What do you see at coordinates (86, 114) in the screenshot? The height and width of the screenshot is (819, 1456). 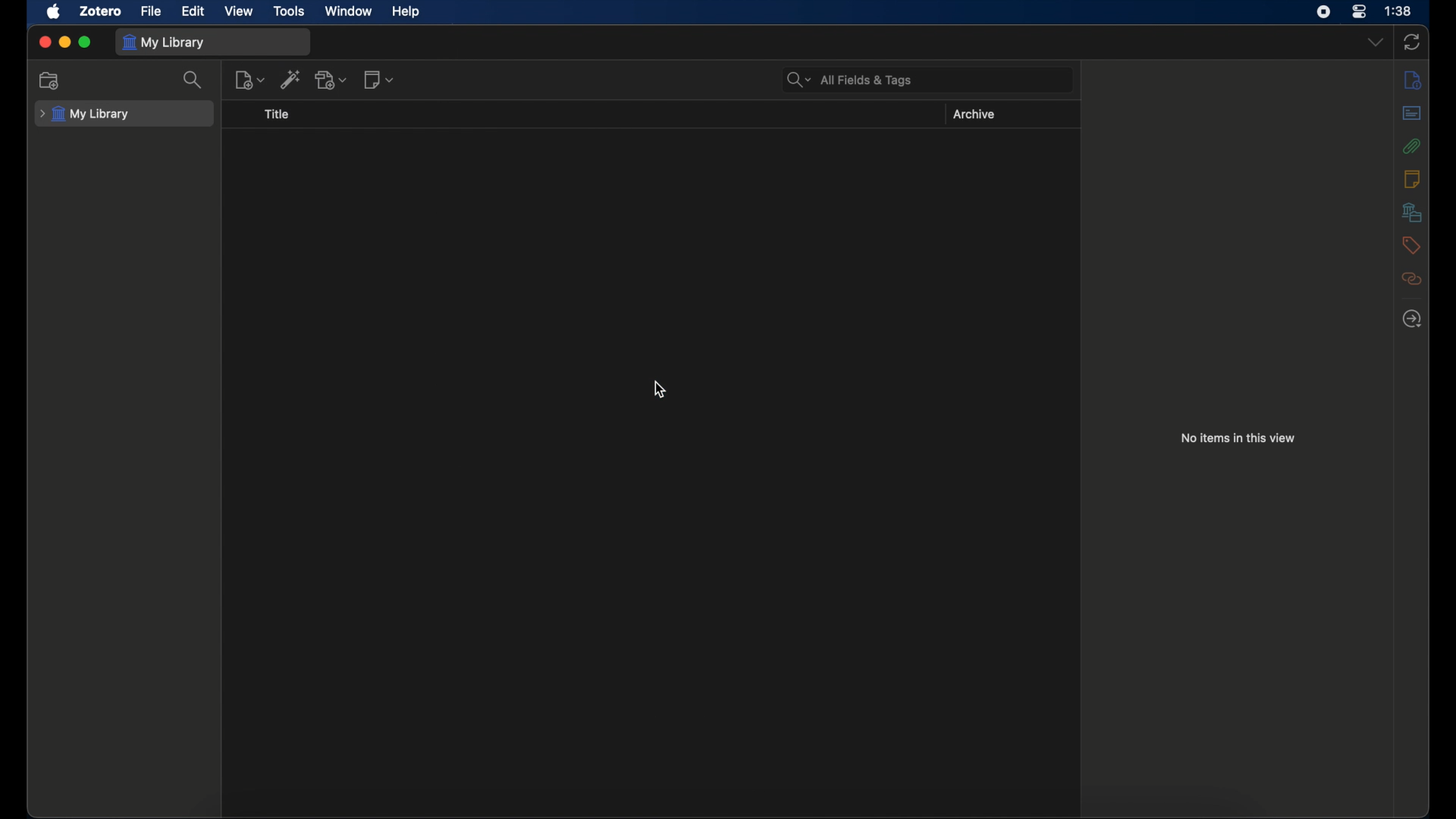 I see `my library` at bounding box center [86, 114].